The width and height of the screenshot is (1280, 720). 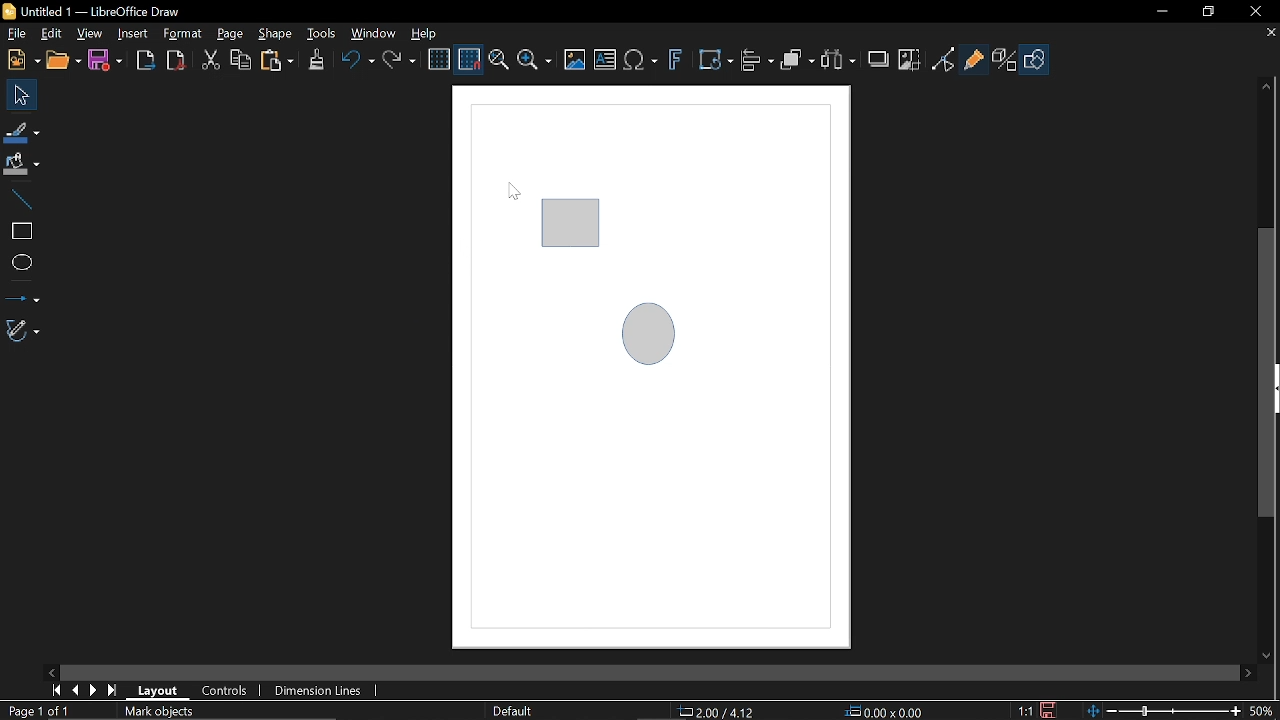 I want to click on Next page, so click(x=96, y=691).